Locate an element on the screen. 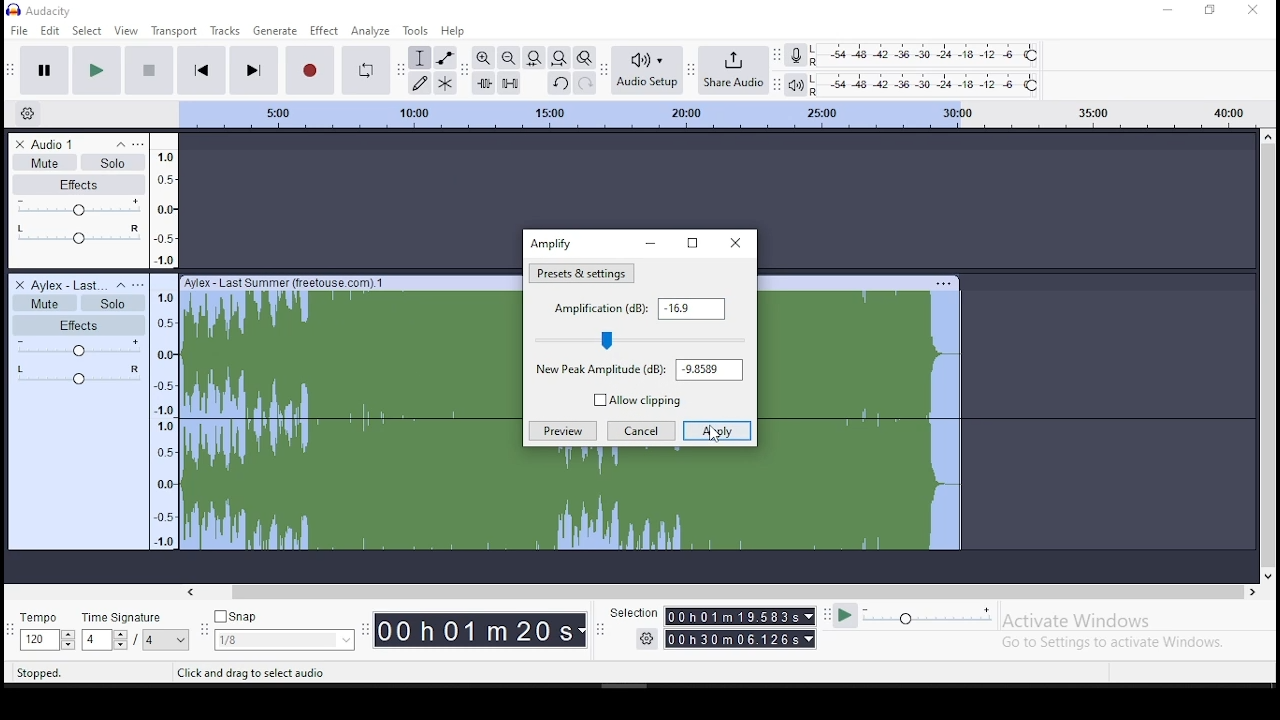 The height and width of the screenshot is (720, 1280). skip to end is located at coordinates (254, 69).